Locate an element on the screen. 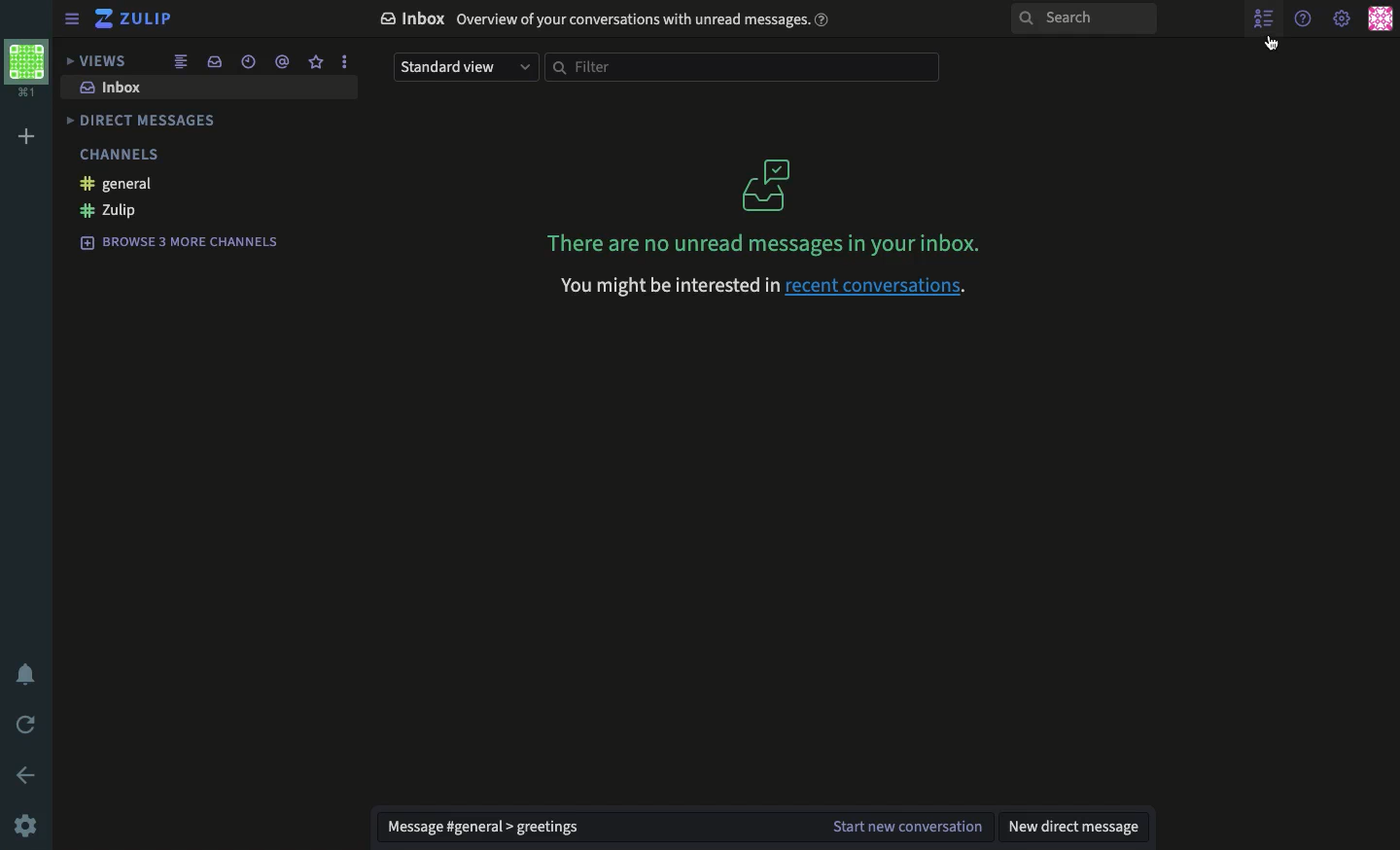 Image resolution: width=1400 pixels, height=850 pixels. back is located at coordinates (28, 773).